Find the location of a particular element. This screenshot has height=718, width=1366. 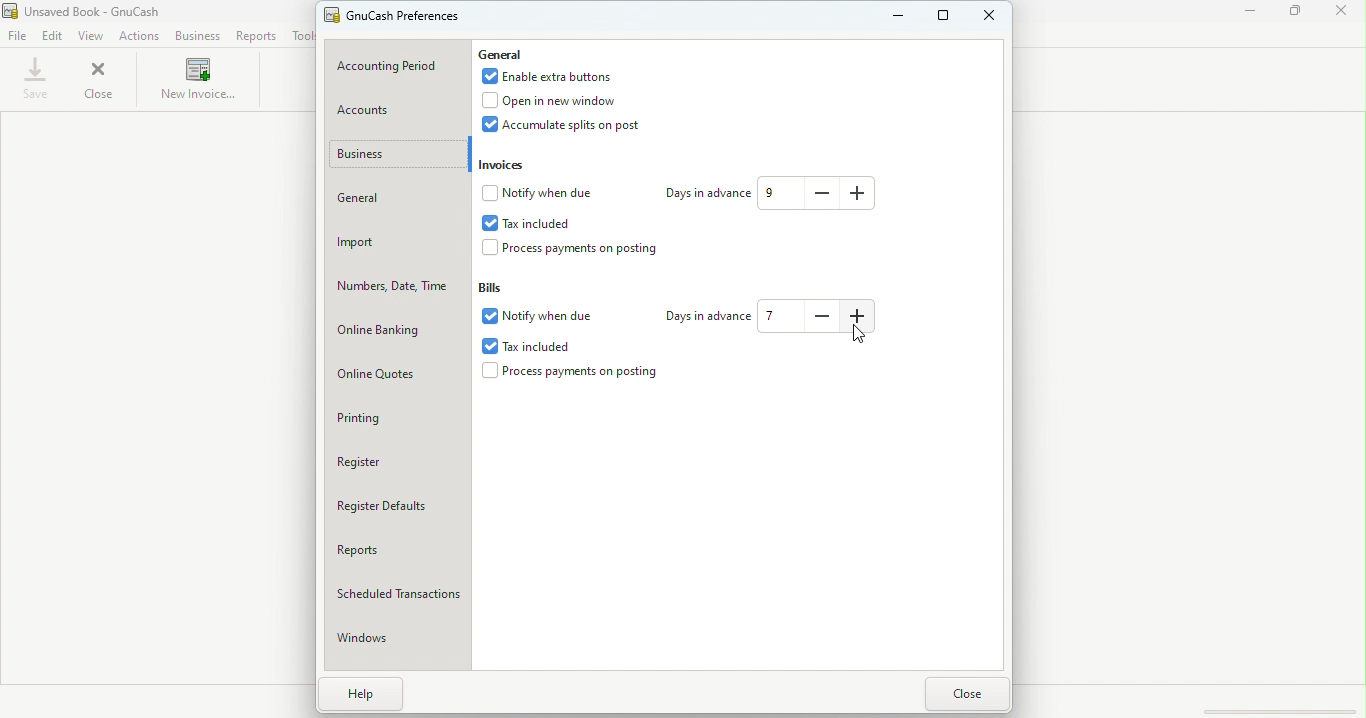

Text box is located at coordinates (786, 317).